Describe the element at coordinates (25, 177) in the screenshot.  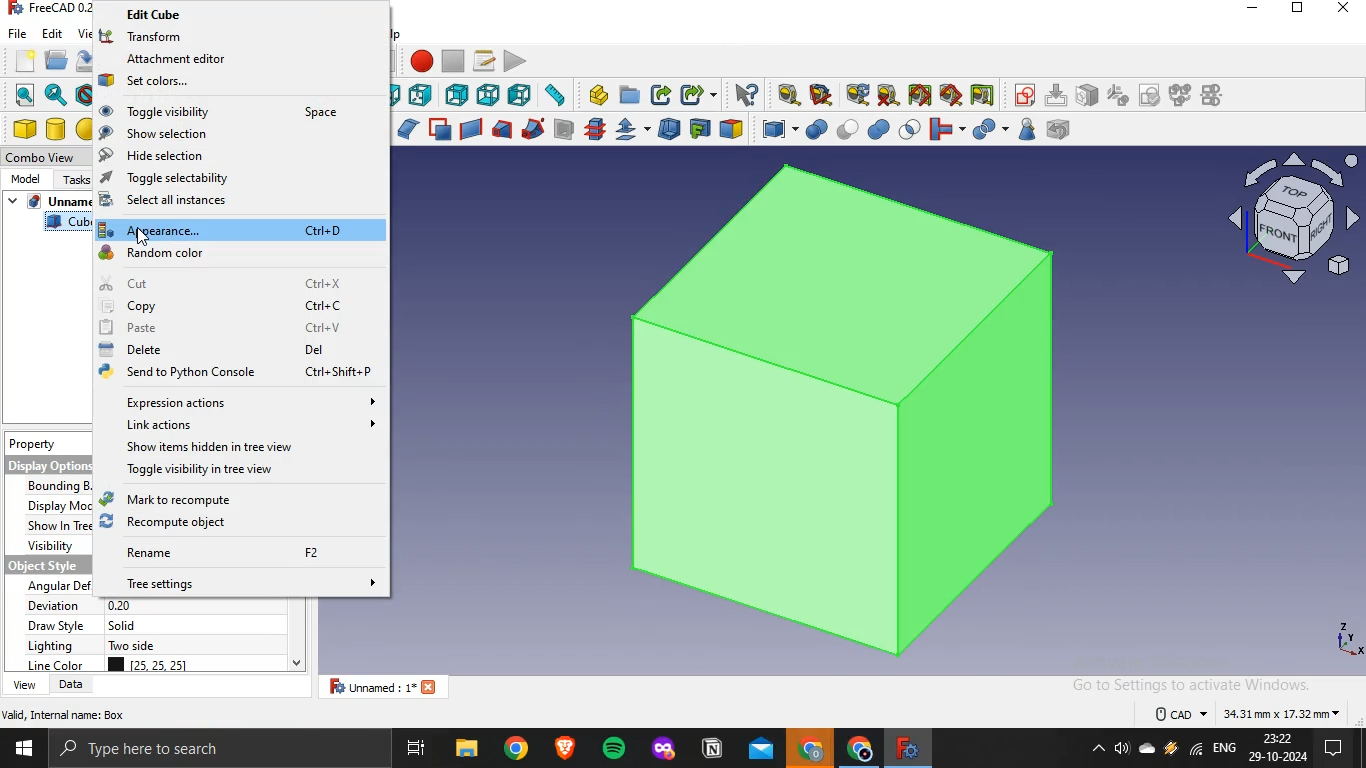
I see `model` at that location.